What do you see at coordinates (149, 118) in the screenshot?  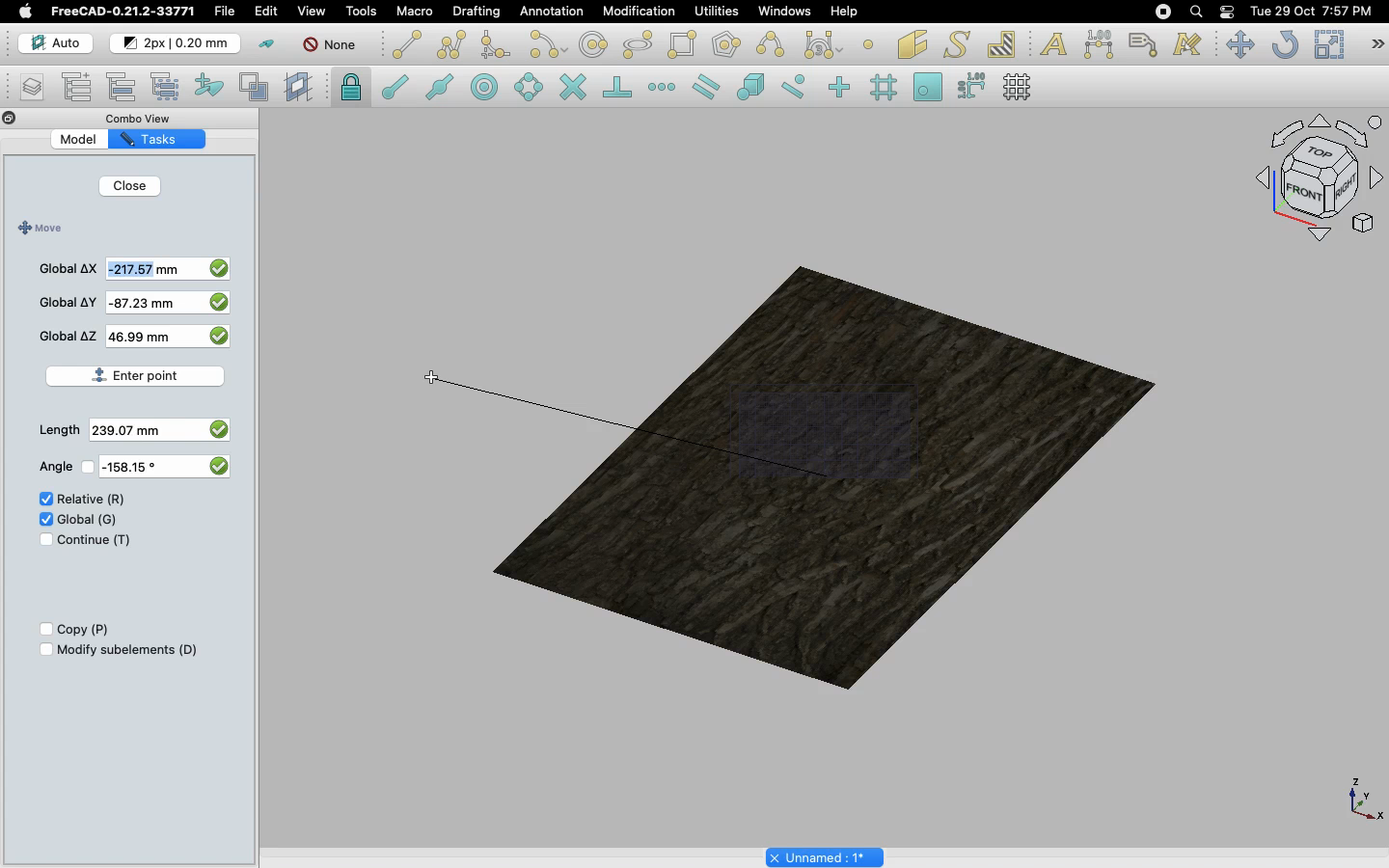 I see `Combo view` at bounding box center [149, 118].